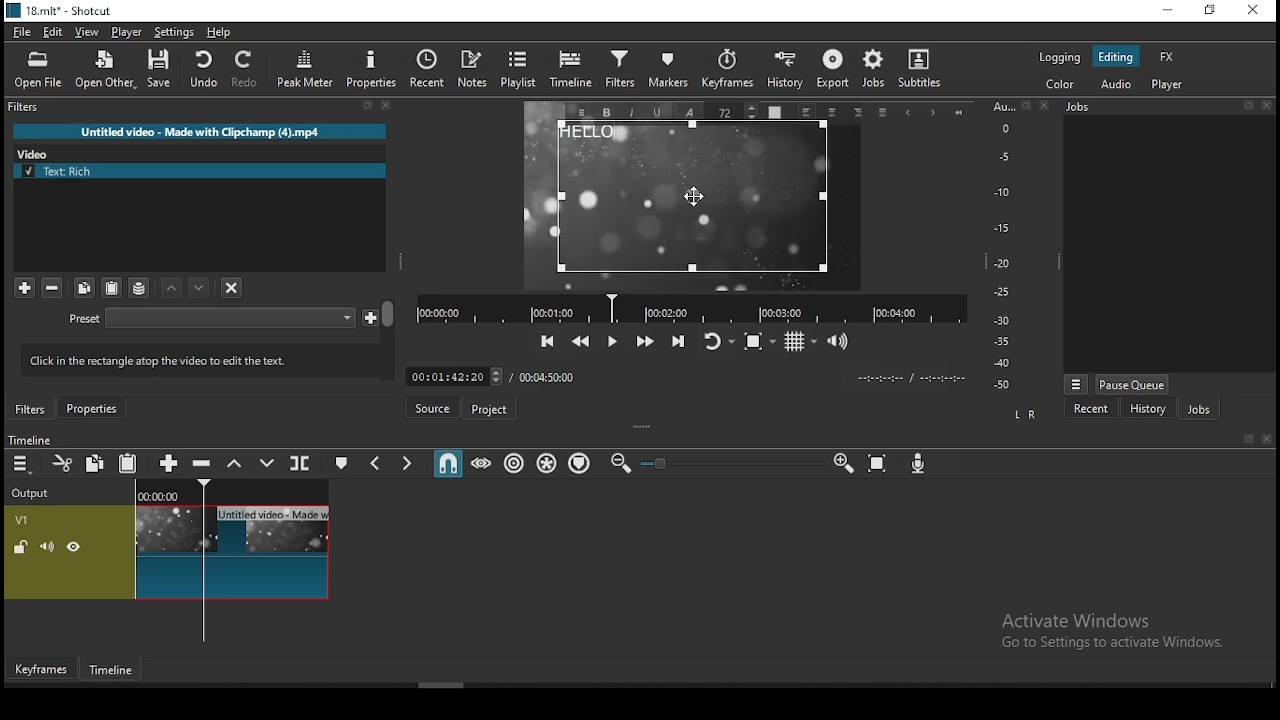 The image size is (1280, 720). Describe the element at coordinates (882, 113) in the screenshot. I see `Justified alignment` at that location.